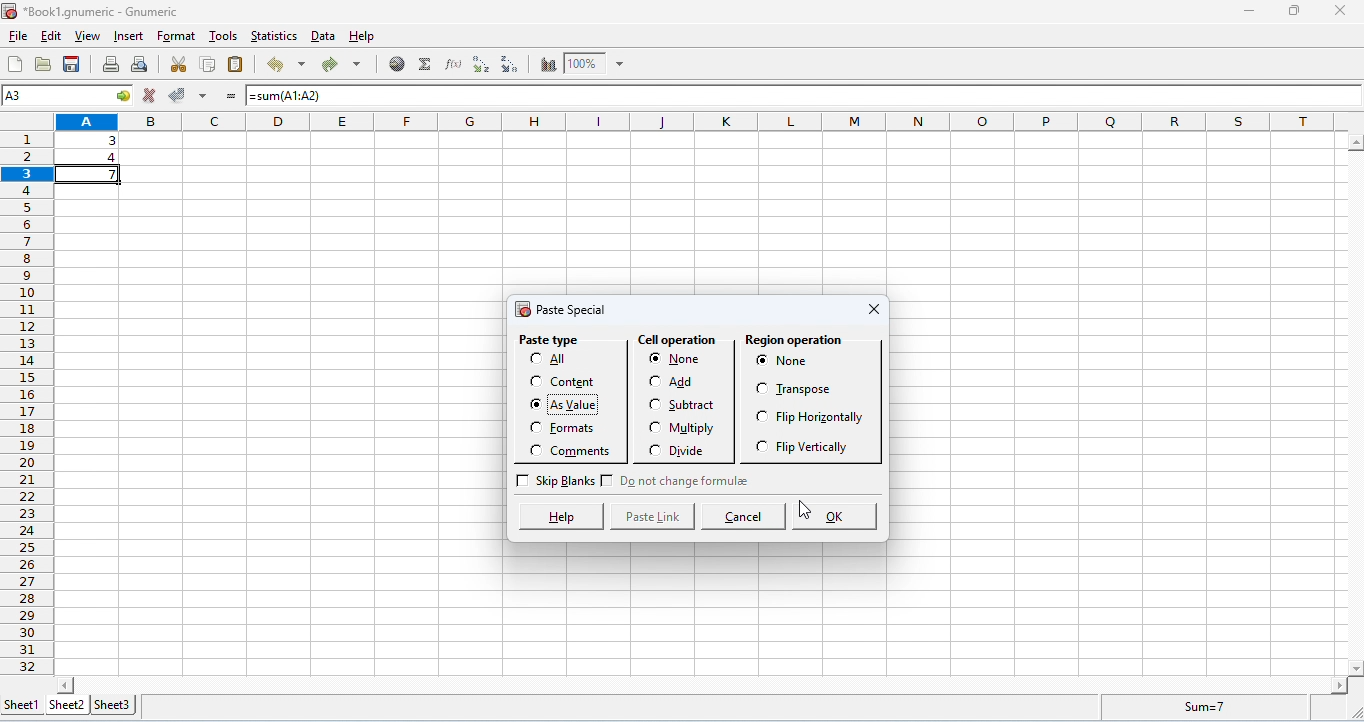  I want to click on do not change format, so click(694, 483).